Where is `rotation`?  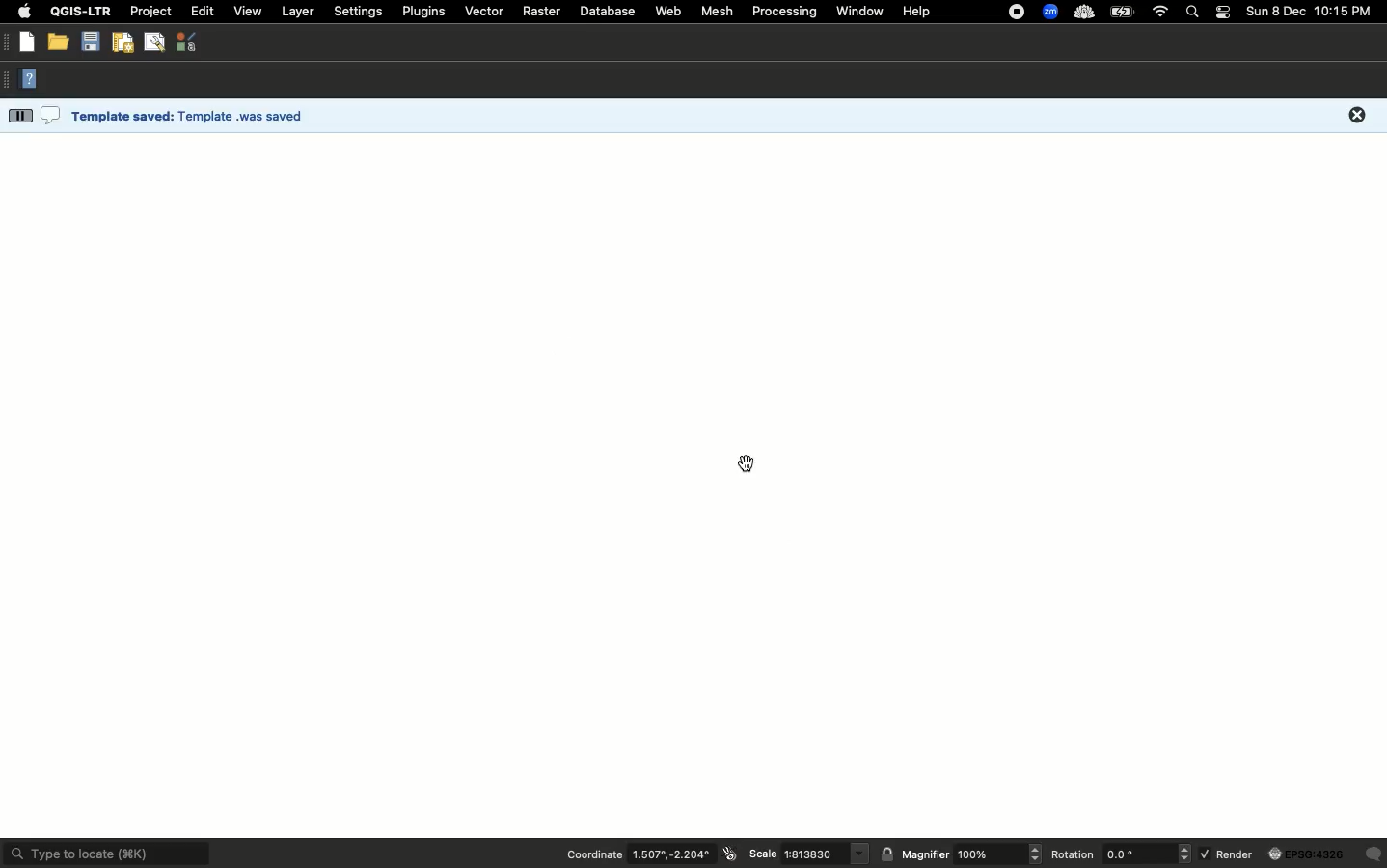 rotation is located at coordinates (1149, 854).